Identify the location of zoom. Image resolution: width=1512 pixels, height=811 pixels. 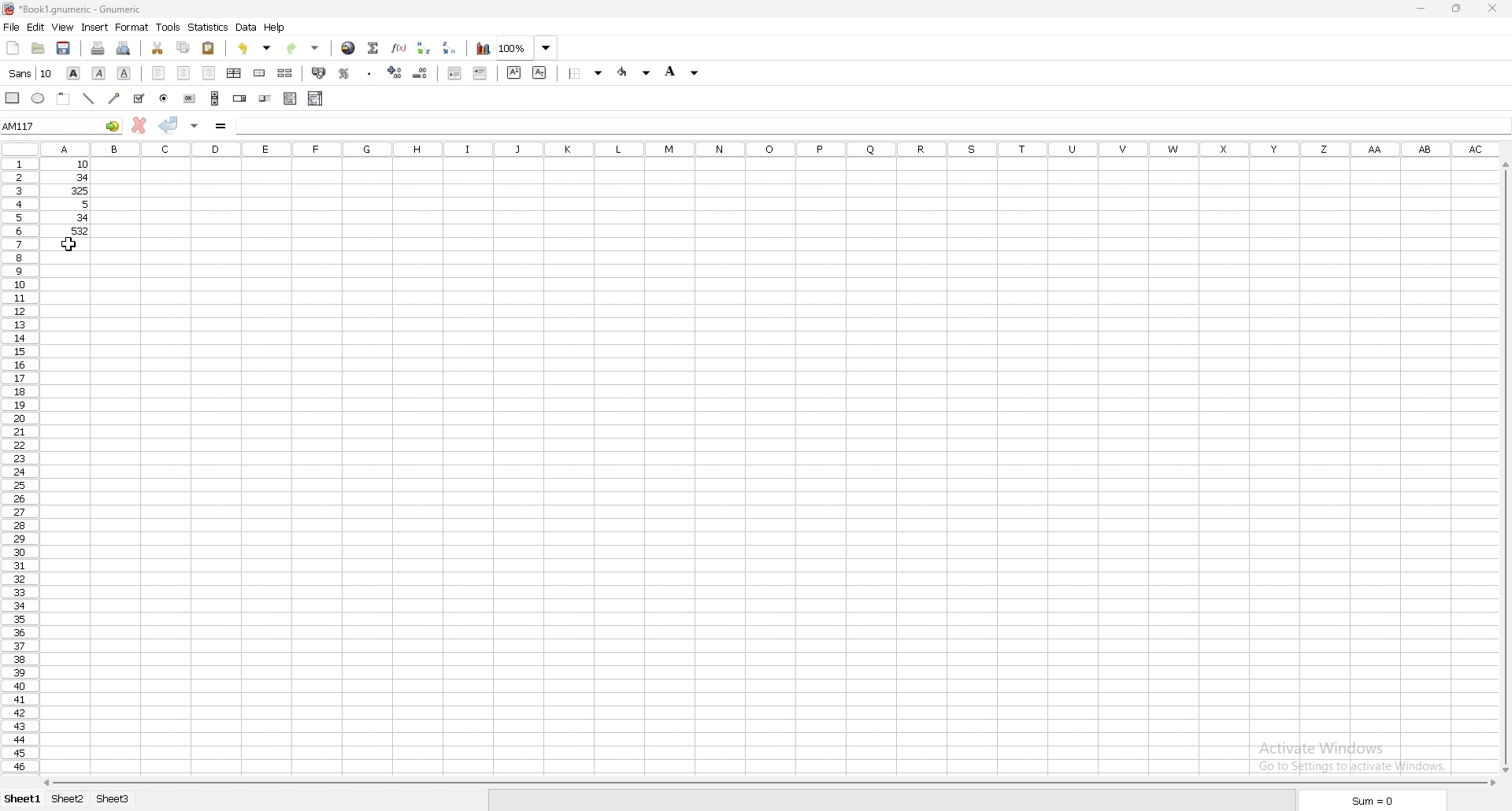
(526, 48).